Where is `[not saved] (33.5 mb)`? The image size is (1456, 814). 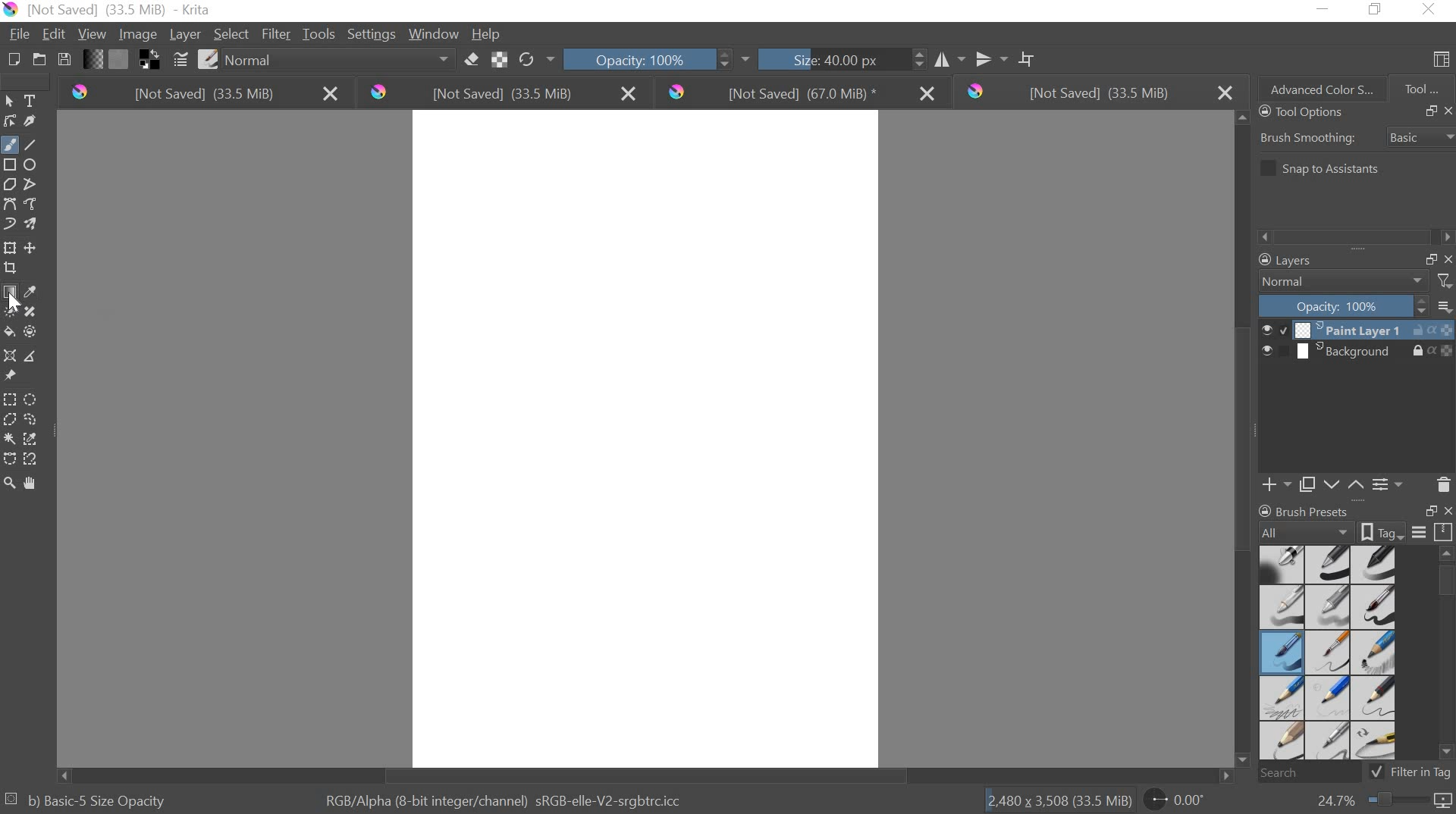
[not saved] (33.5 mb) is located at coordinates (1096, 92).